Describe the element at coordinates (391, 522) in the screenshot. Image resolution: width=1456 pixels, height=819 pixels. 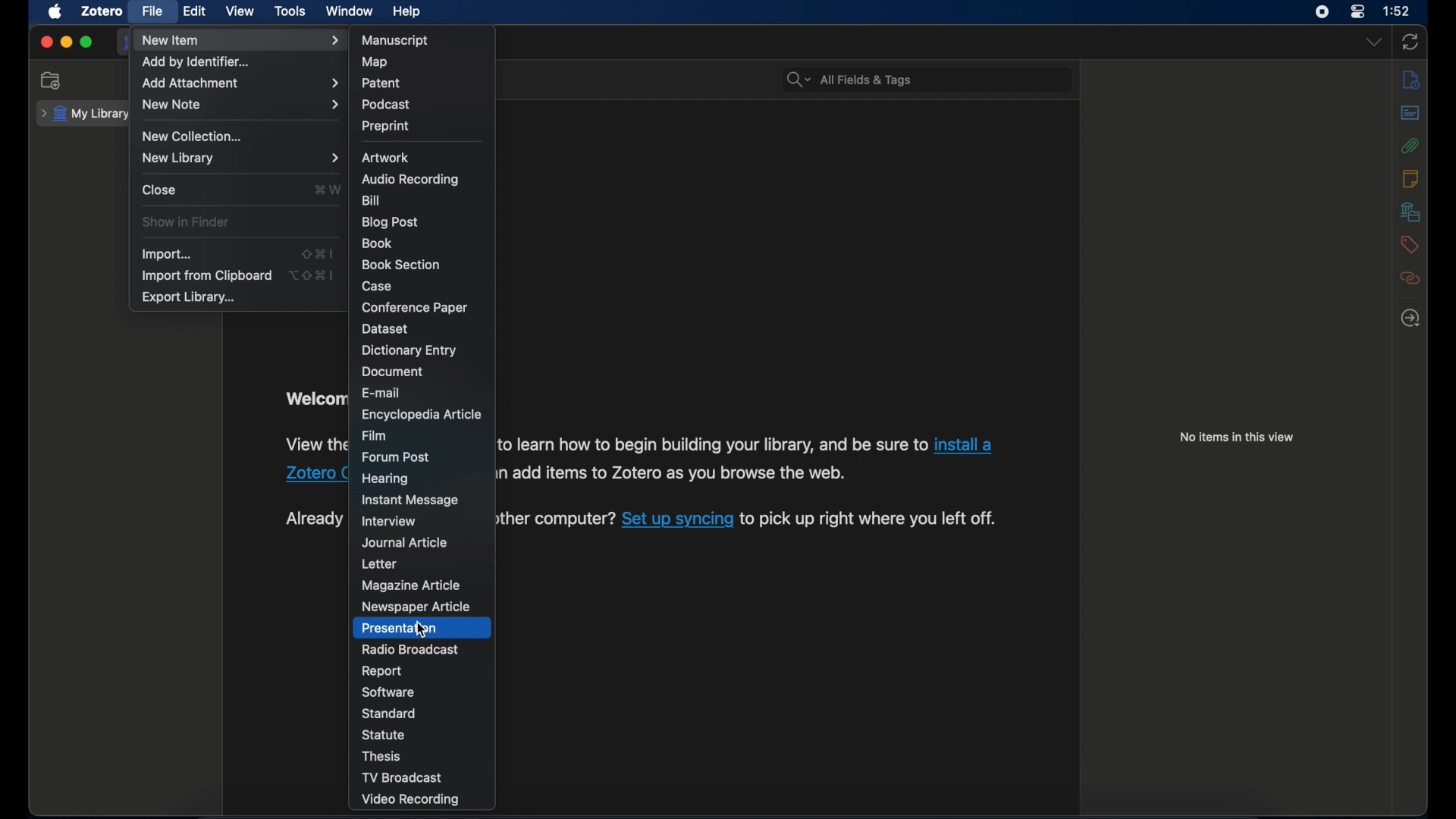
I see `interview` at that location.